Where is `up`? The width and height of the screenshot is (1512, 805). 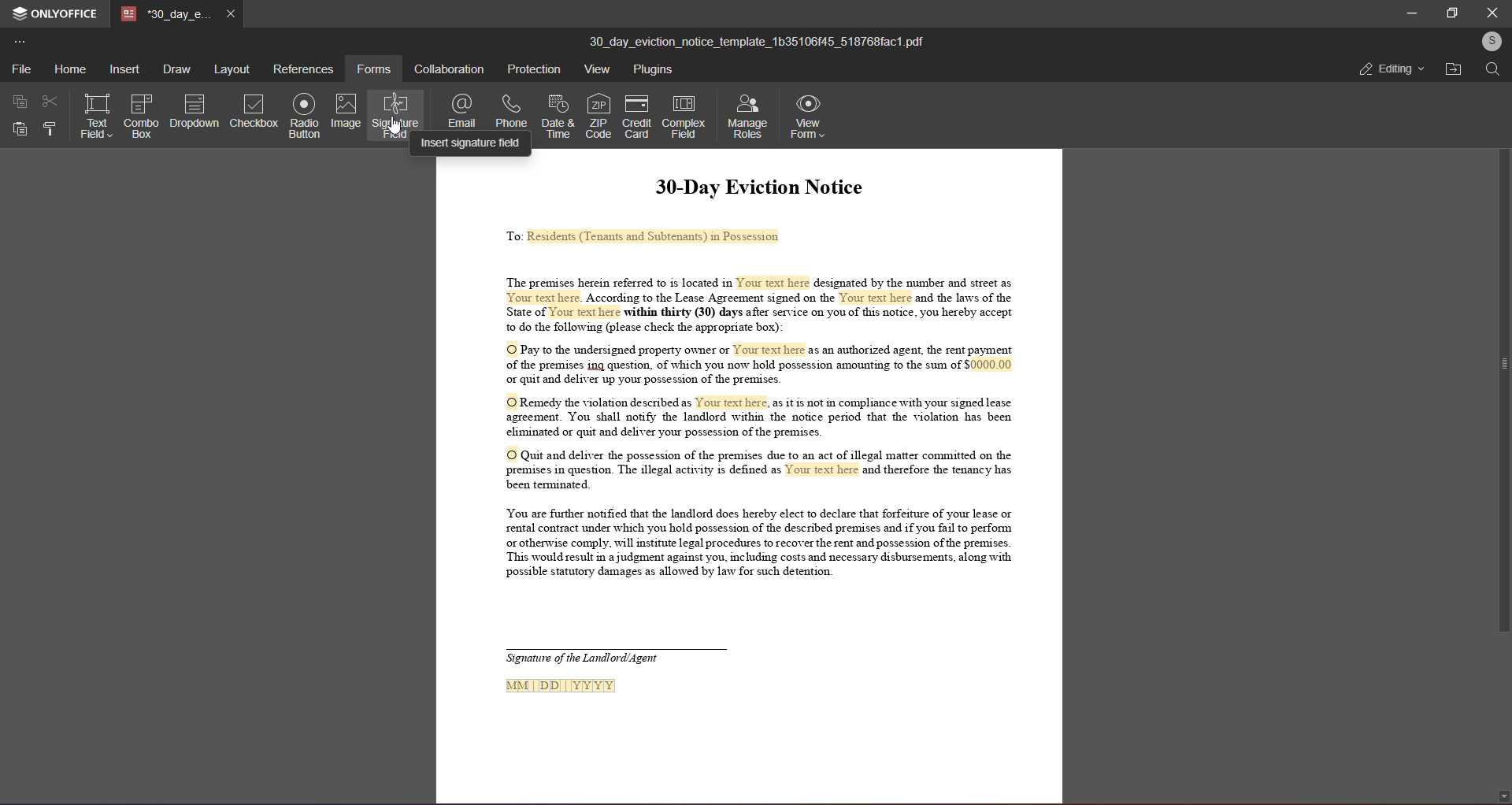
up is located at coordinates (1500, 91).